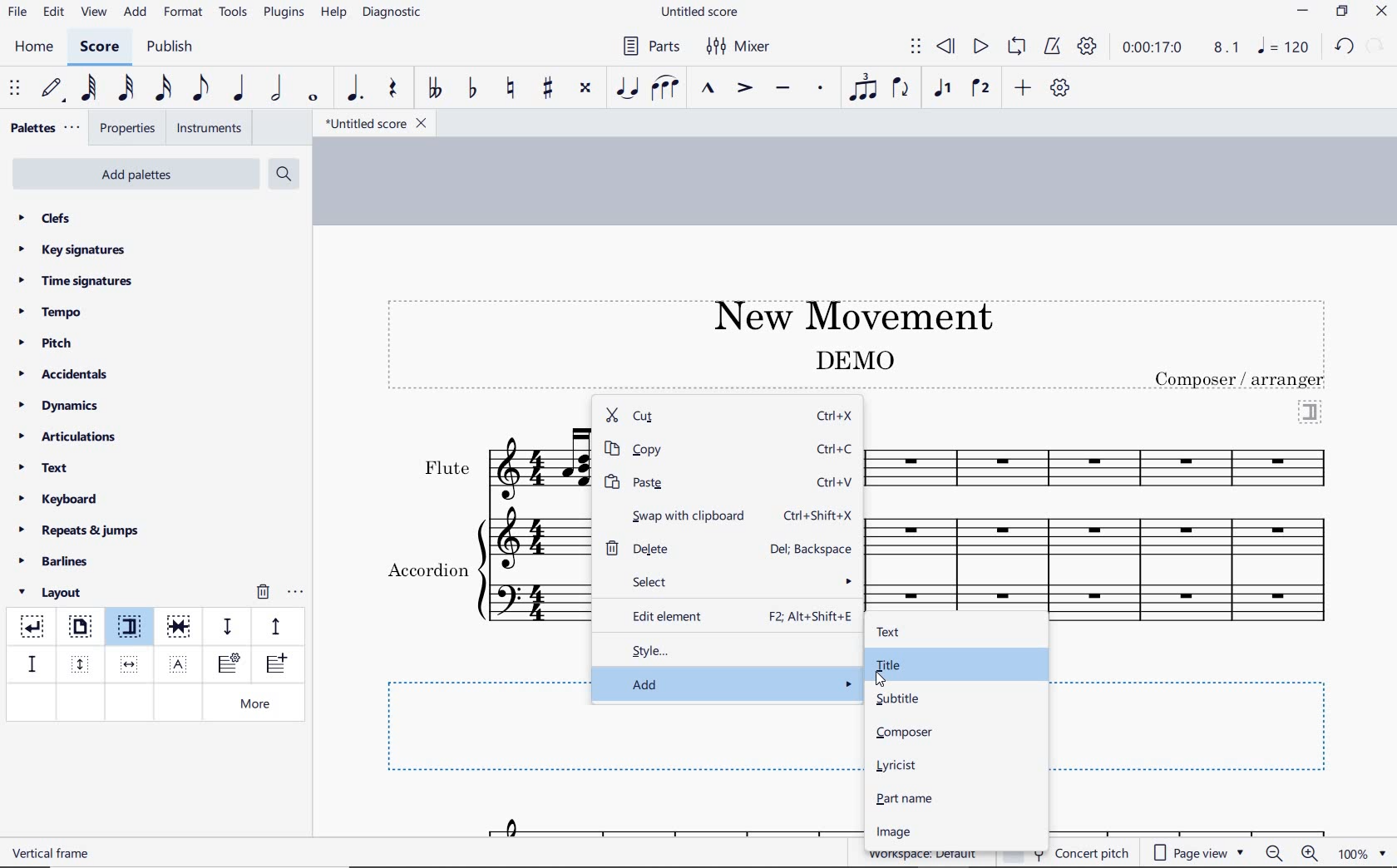 The image size is (1397, 868). I want to click on dynamics, so click(63, 406).